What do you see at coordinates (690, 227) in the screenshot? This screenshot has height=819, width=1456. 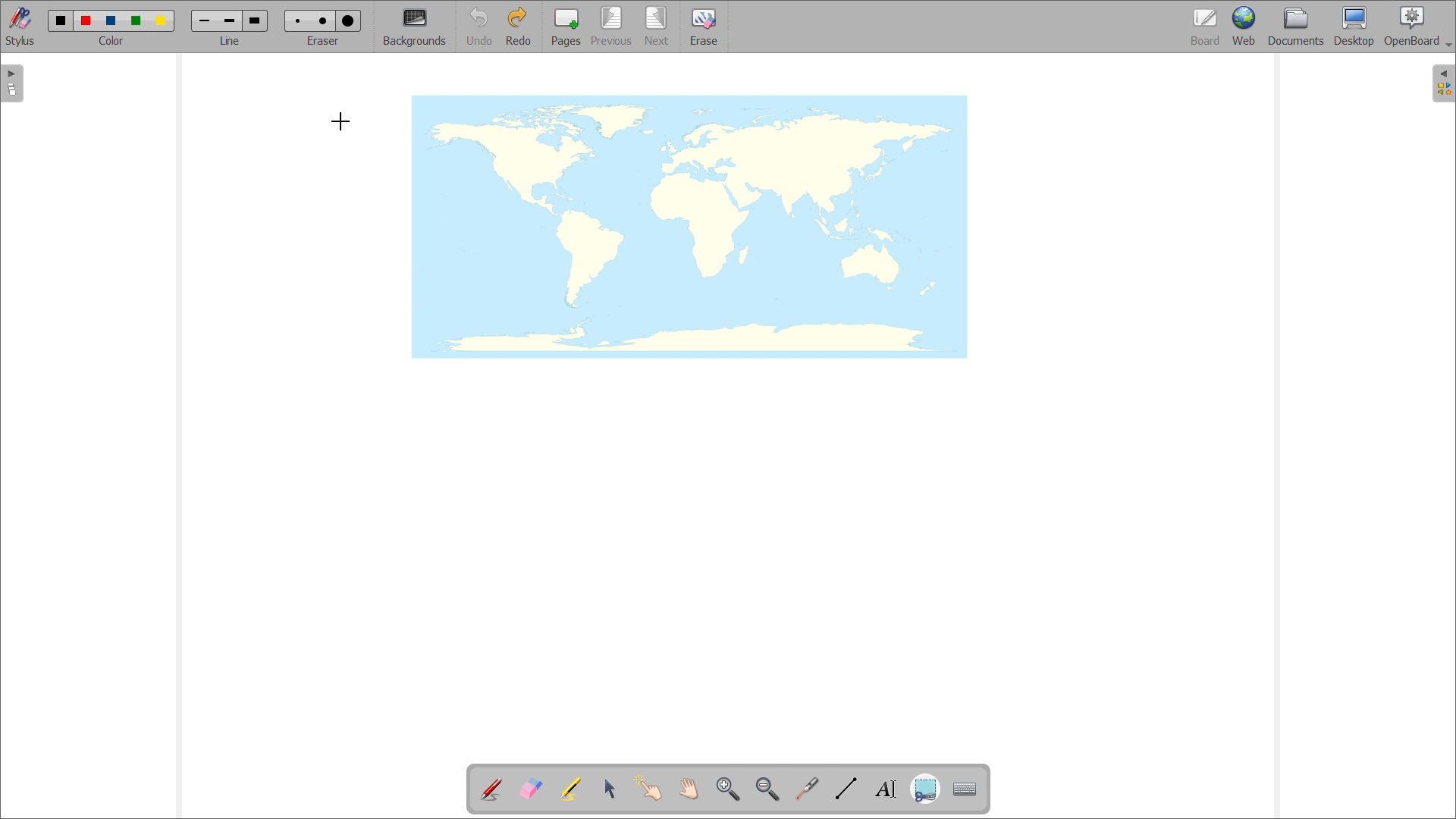 I see `image` at bounding box center [690, 227].